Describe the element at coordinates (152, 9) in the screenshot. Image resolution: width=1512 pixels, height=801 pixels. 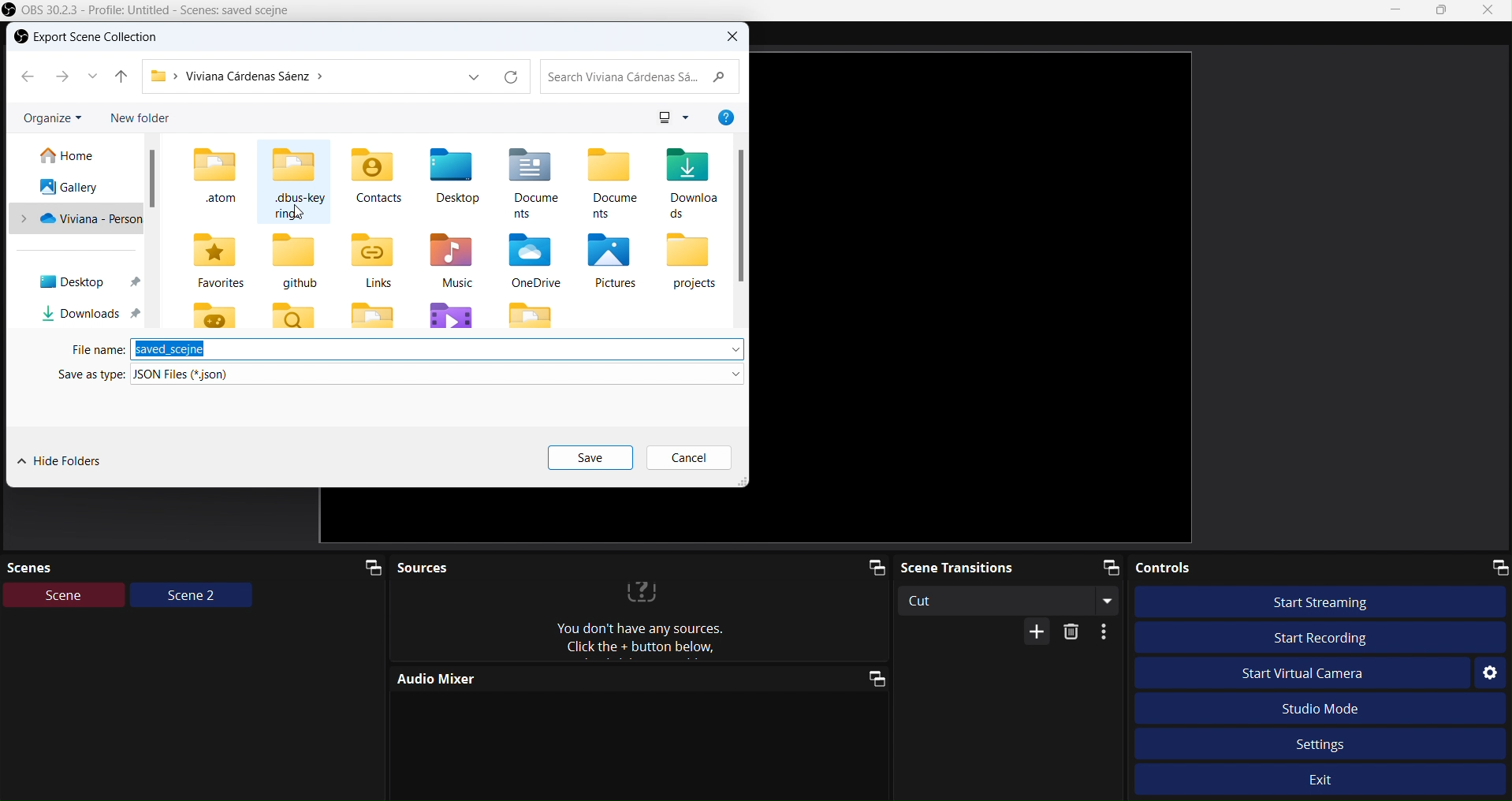
I see `Obs studio` at that location.